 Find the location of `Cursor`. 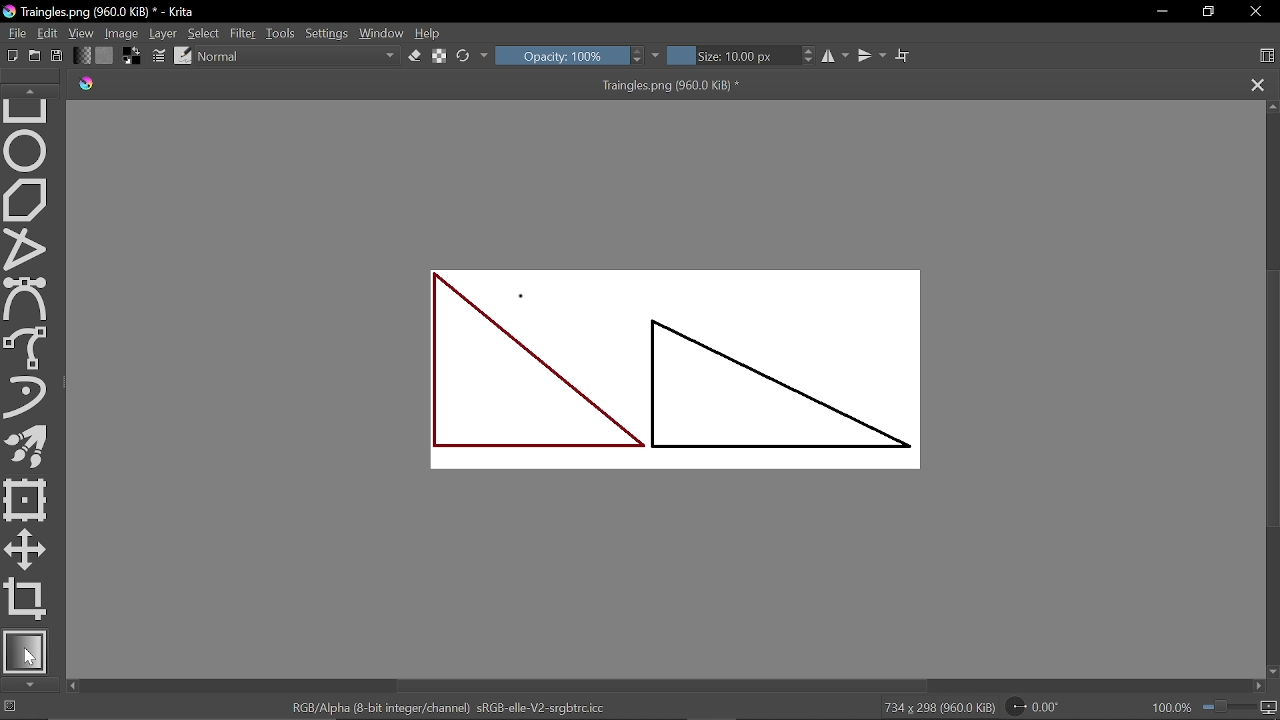

Cursor is located at coordinates (30, 655).